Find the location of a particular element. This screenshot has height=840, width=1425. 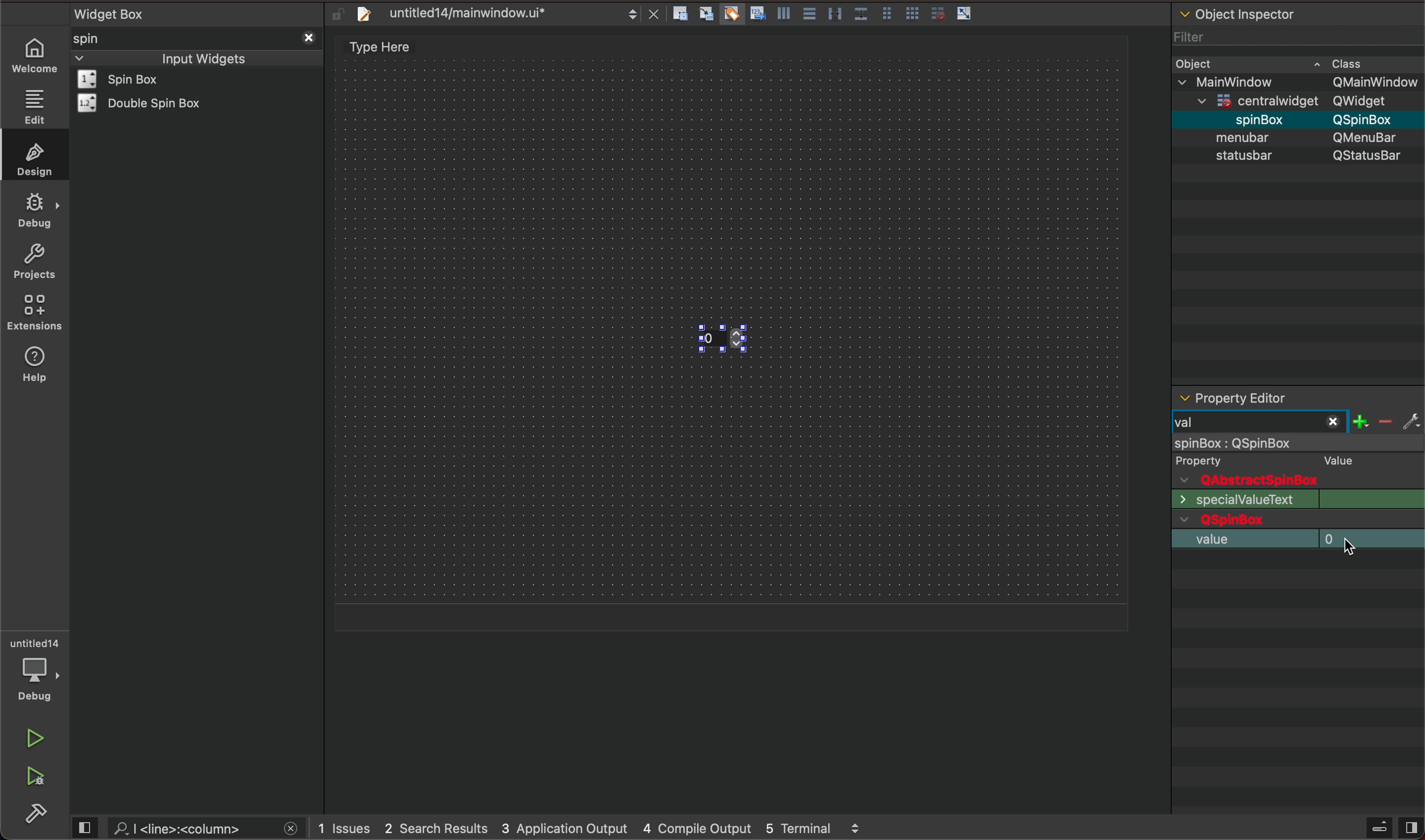

key up is located at coordinates (742, 341).